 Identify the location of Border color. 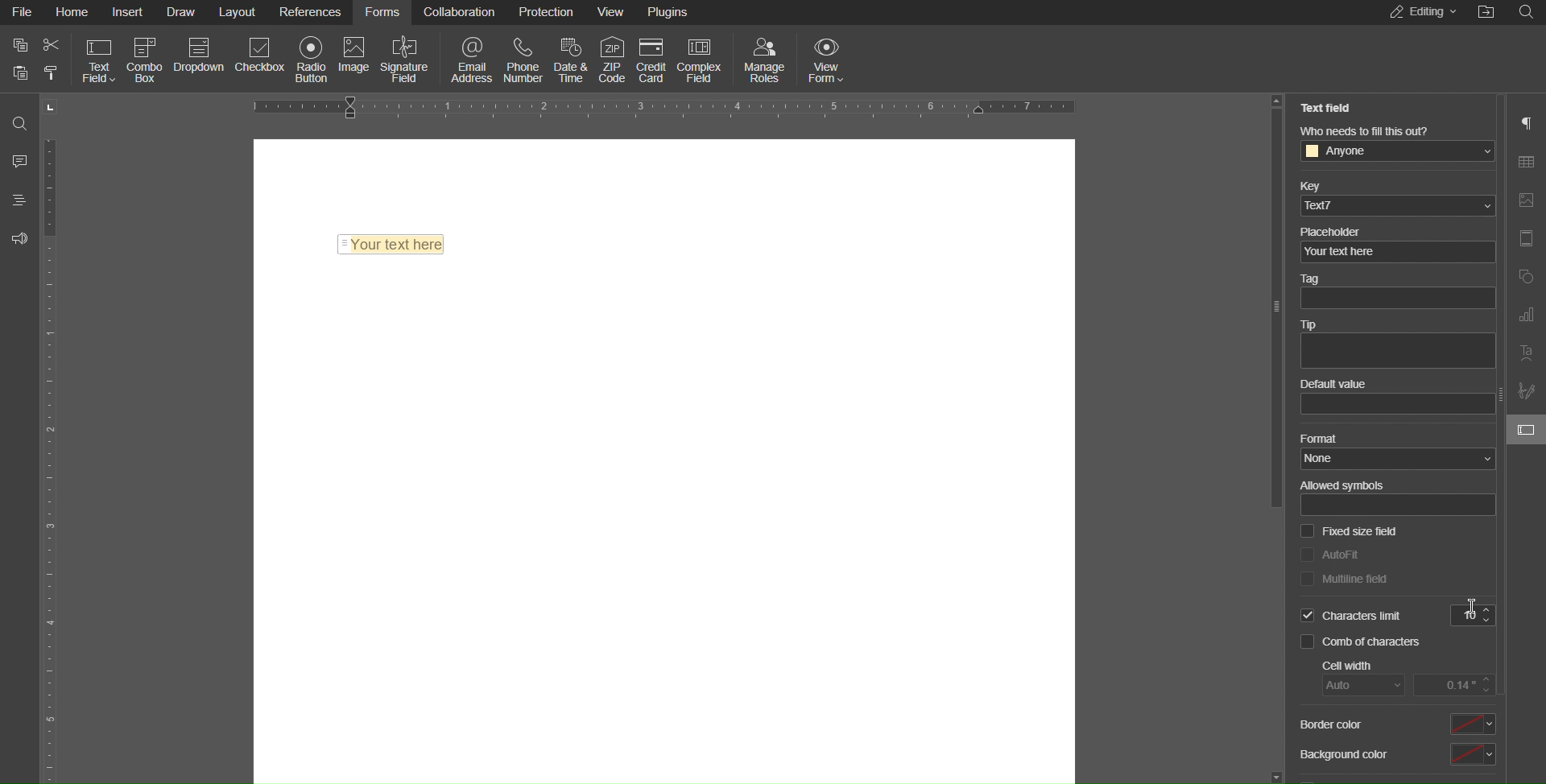
(1395, 724).